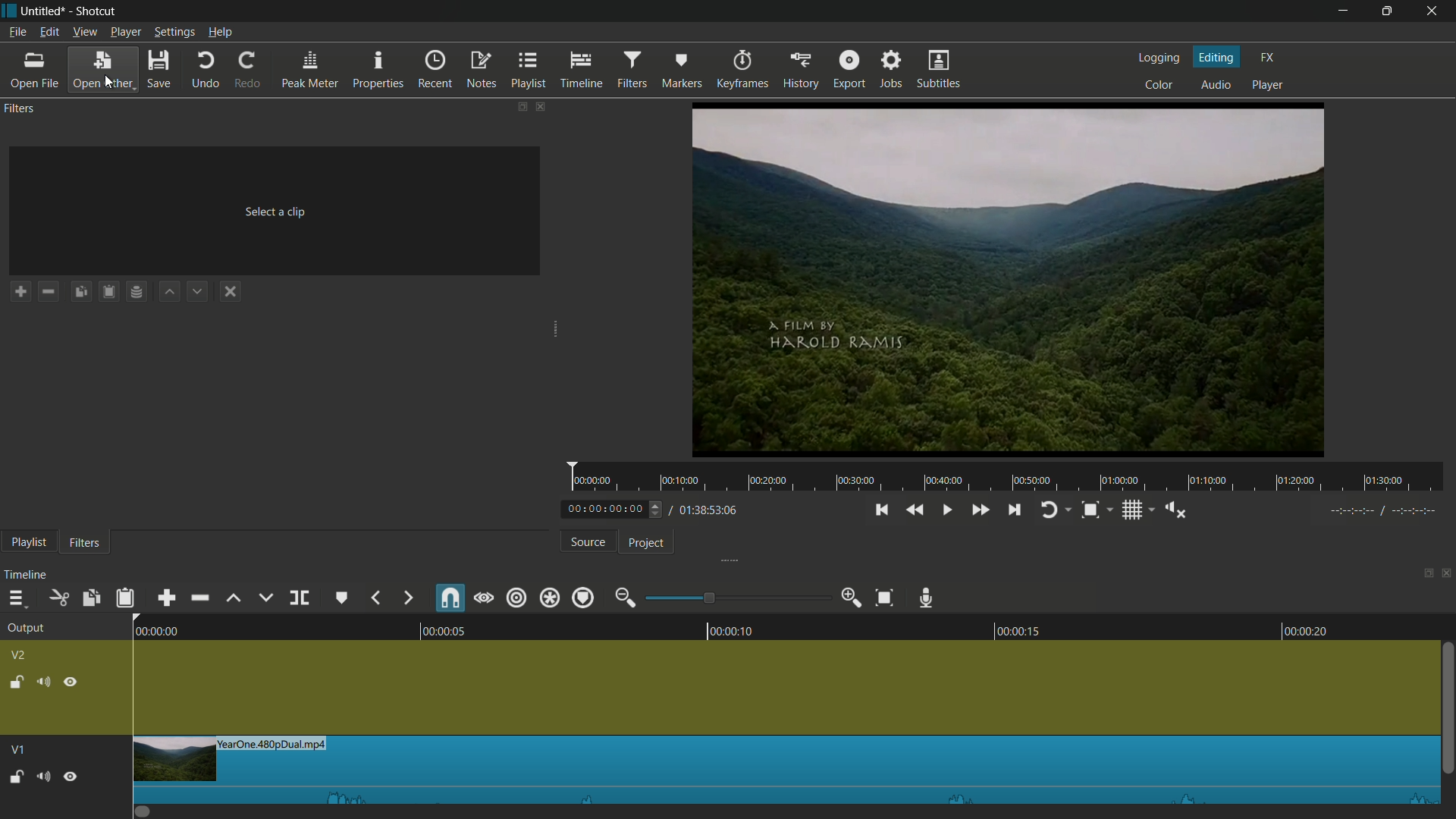  What do you see at coordinates (1346, 11) in the screenshot?
I see `minimize` at bounding box center [1346, 11].